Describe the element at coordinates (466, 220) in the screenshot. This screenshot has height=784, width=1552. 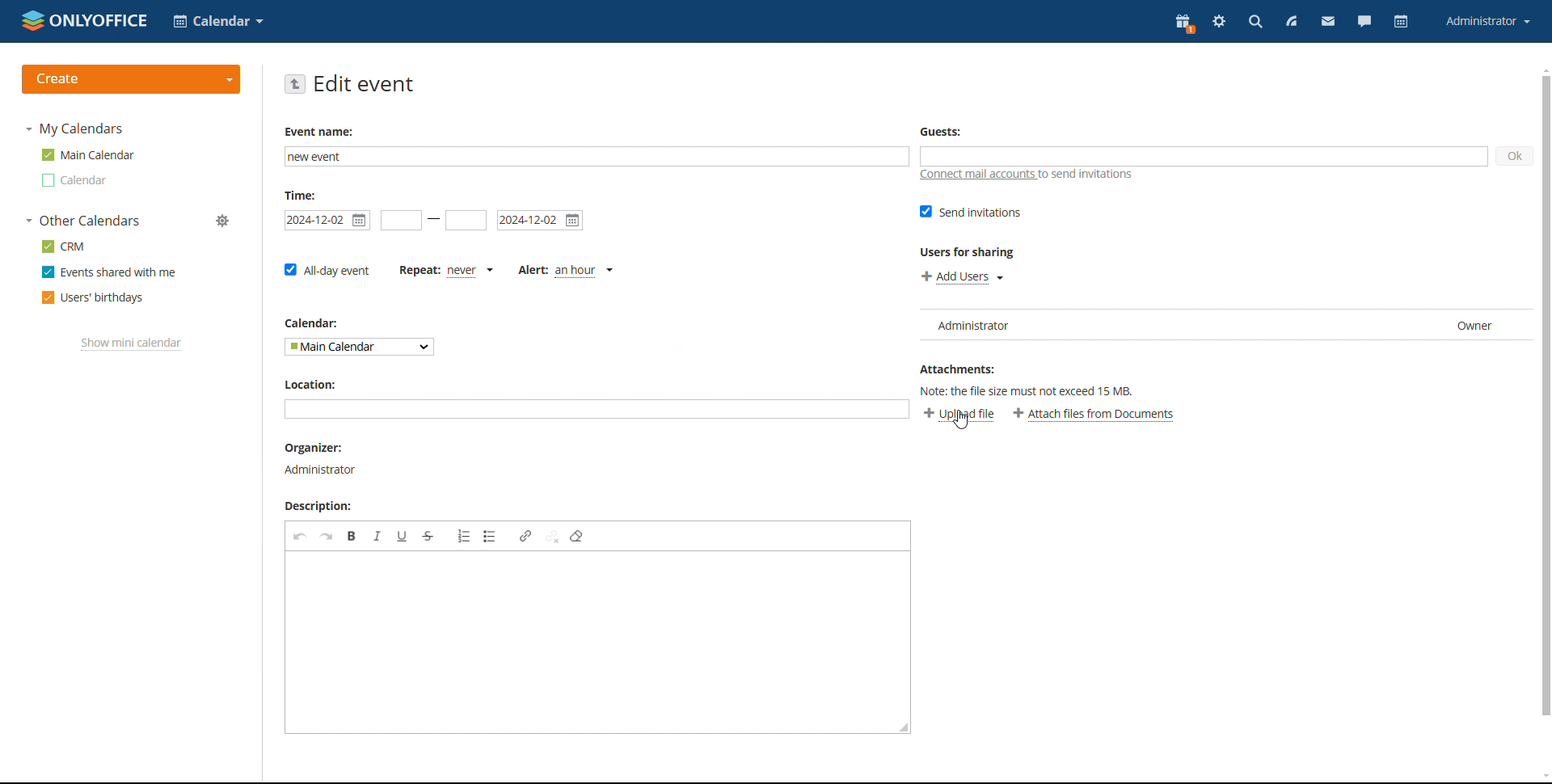
I see `end date` at that location.